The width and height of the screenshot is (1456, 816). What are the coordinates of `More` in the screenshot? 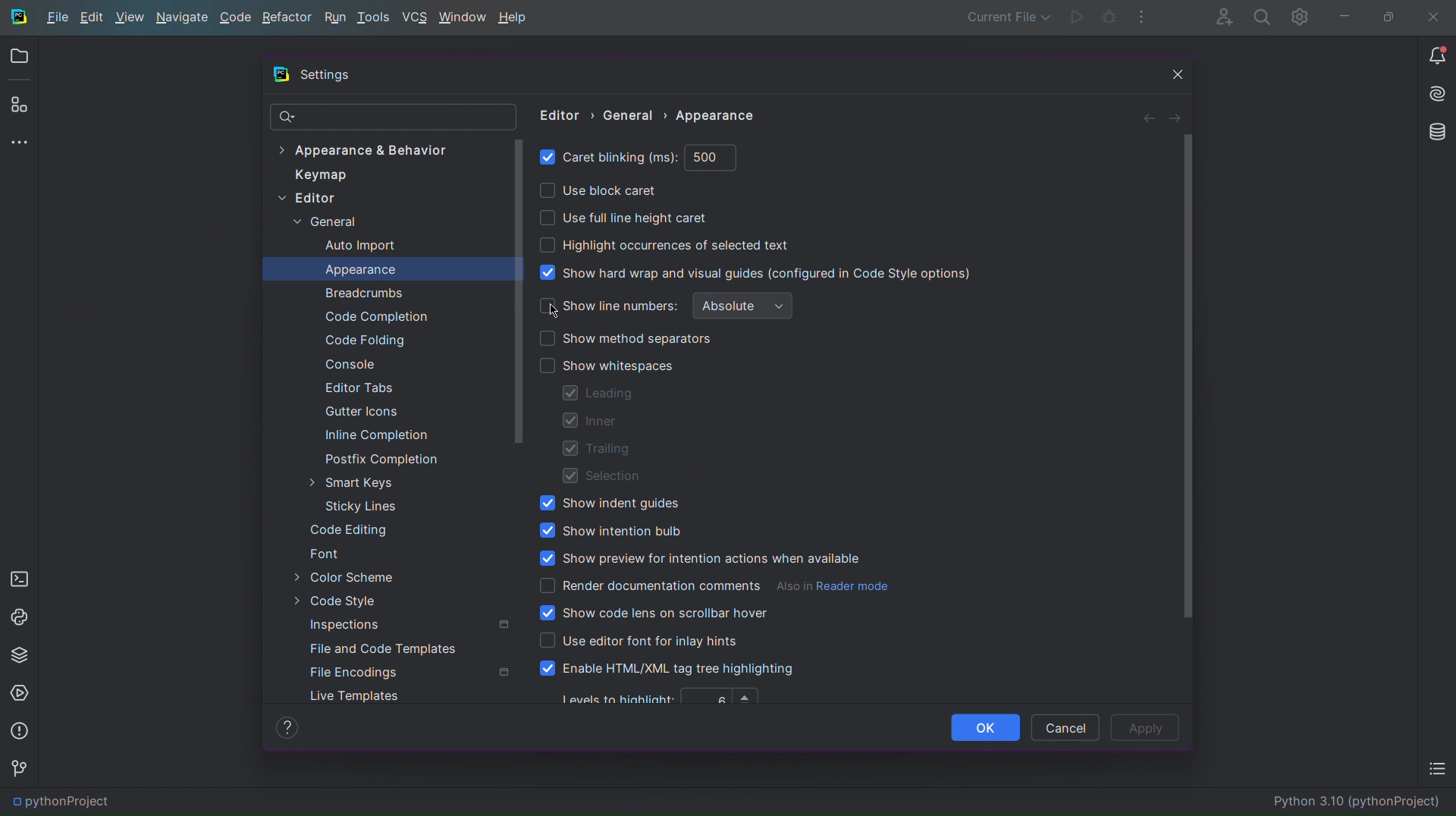 It's located at (21, 143).